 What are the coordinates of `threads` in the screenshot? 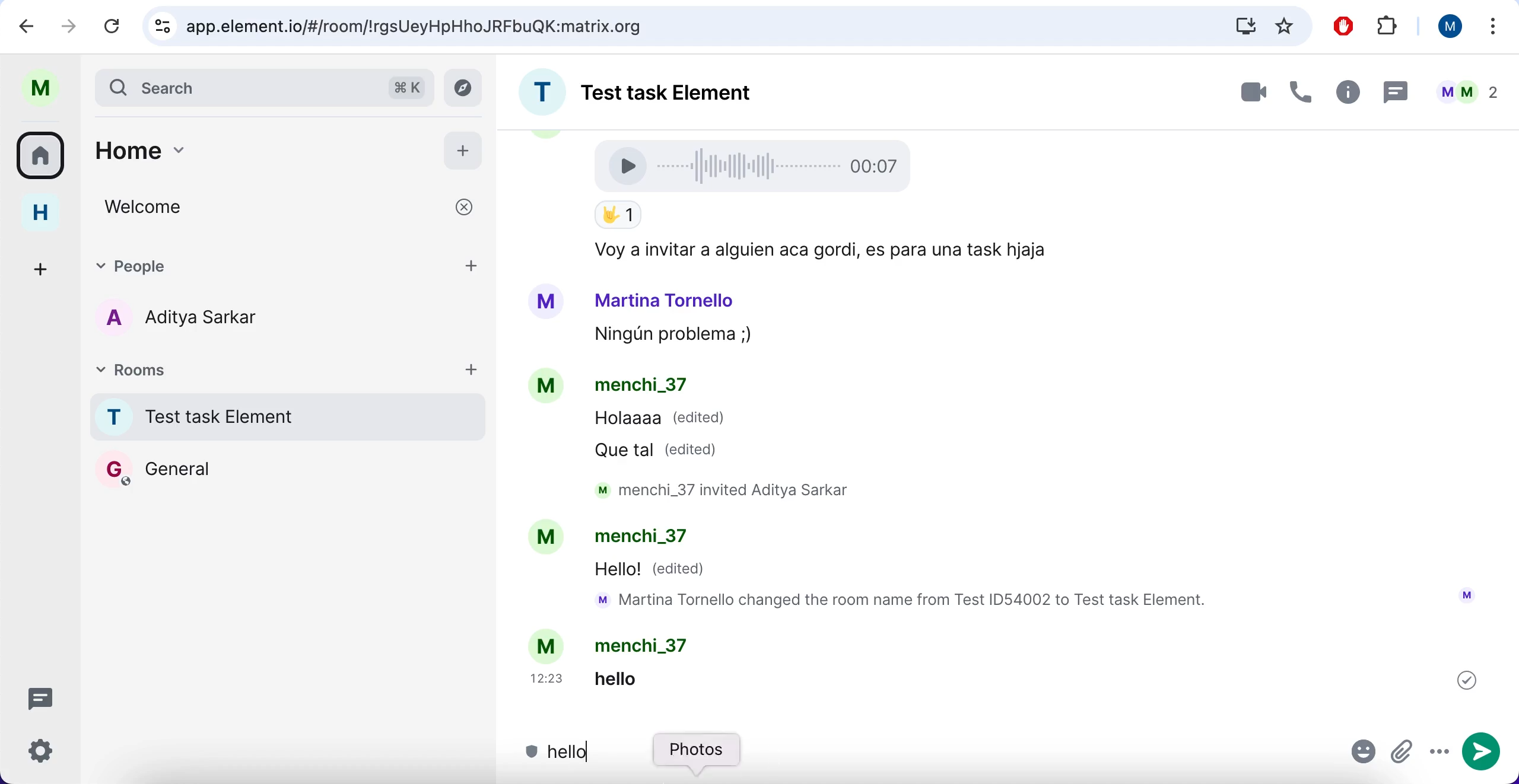 It's located at (47, 697).